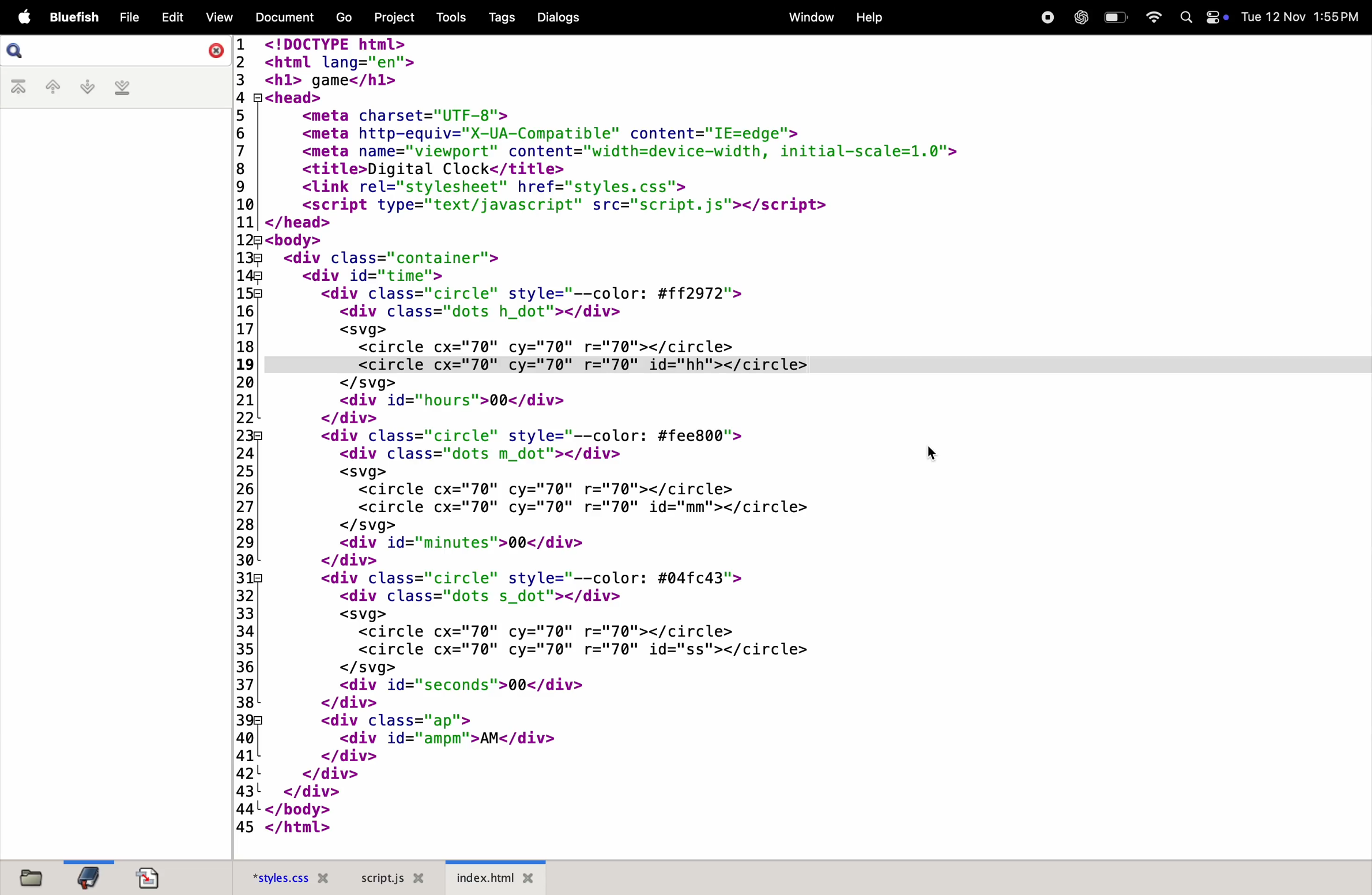 This screenshot has width=1372, height=895. Describe the element at coordinates (557, 18) in the screenshot. I see `dialogs` at that location.